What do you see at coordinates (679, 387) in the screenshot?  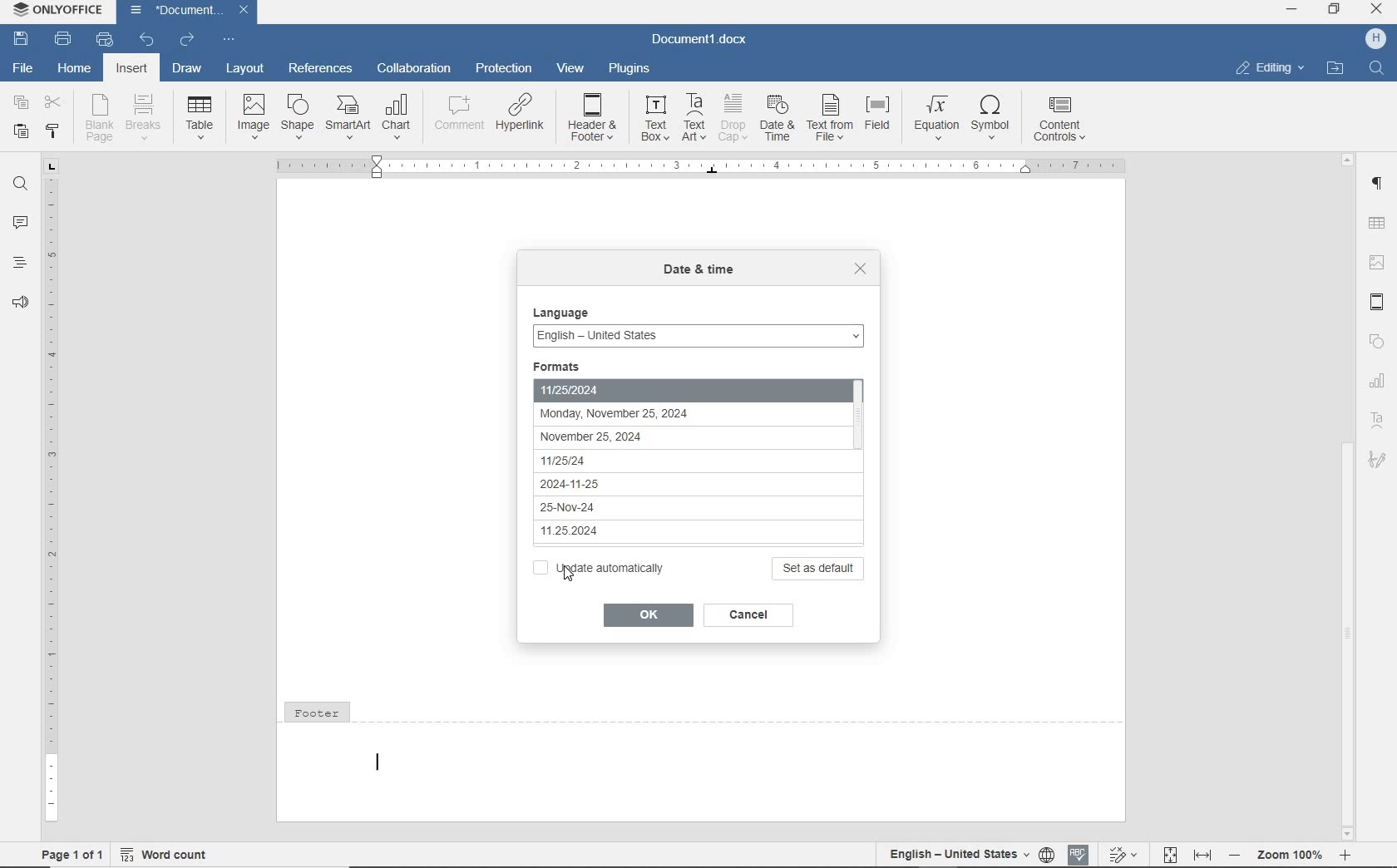 I see `11/25/2024` at bounding box center [679, 387].